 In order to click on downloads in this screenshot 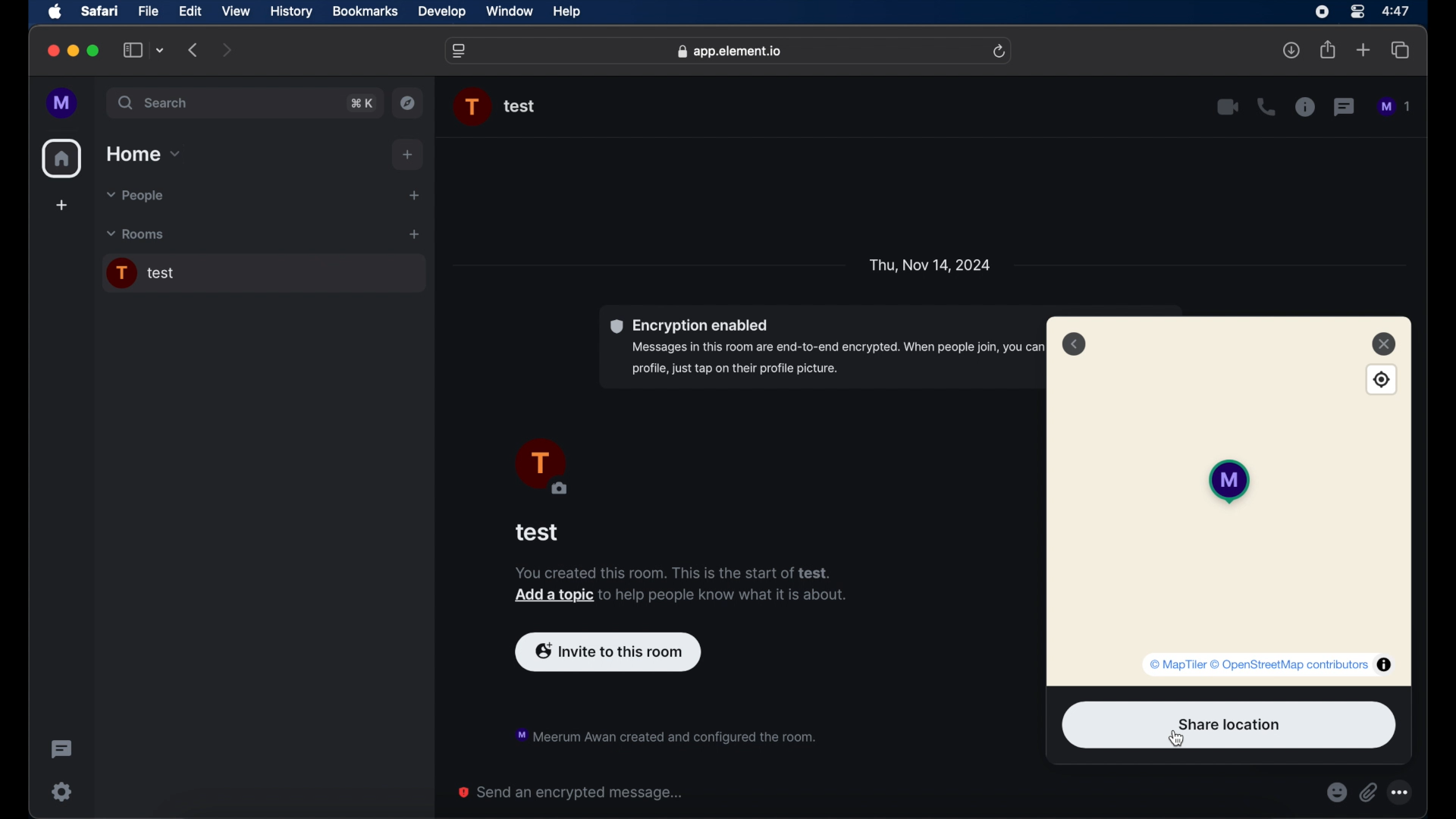, I will do `click(1293, 51)`.